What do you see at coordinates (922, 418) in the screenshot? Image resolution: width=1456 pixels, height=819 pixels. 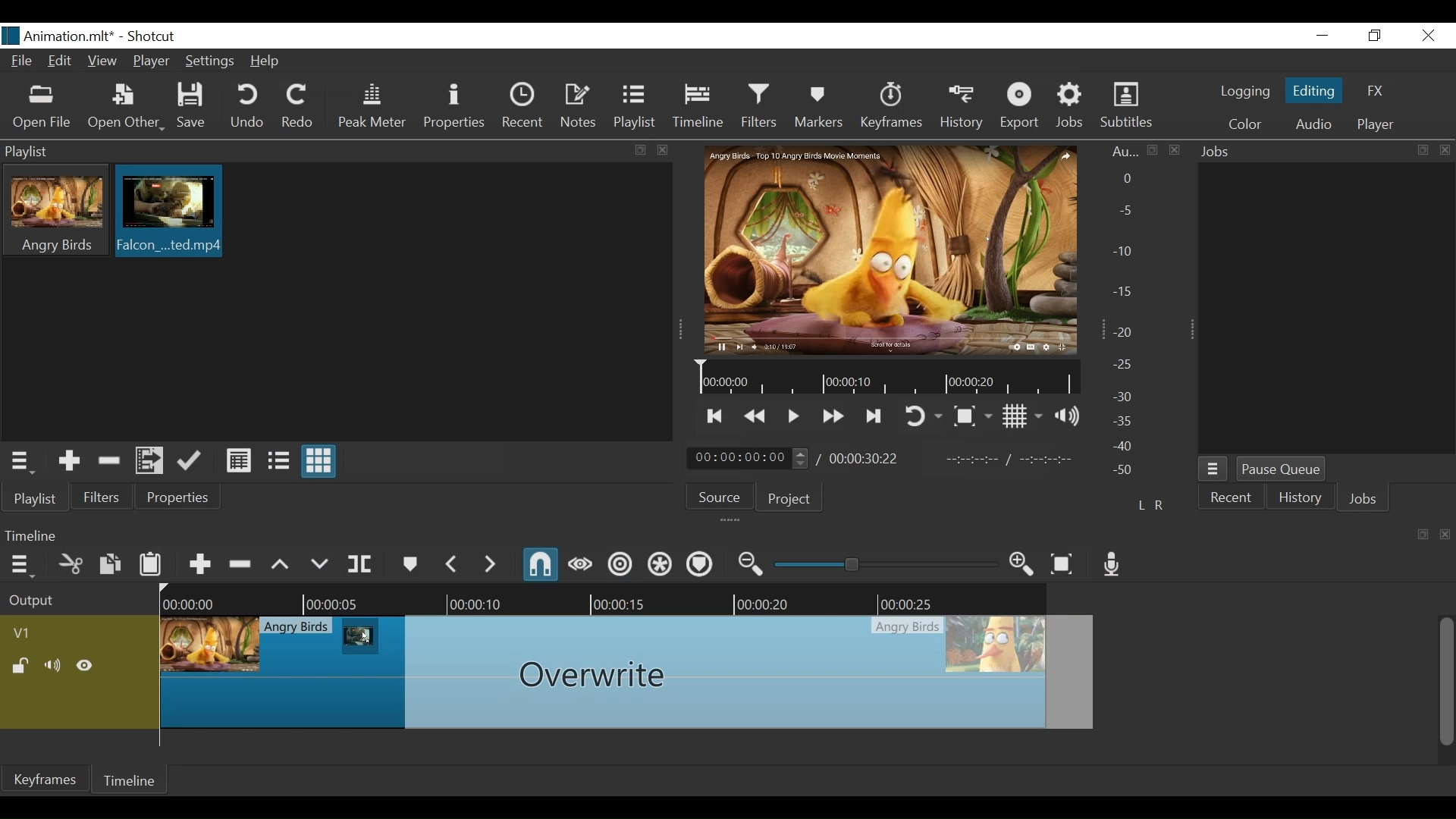 I see `Toggle player looping` at bounding box center [922, 418].